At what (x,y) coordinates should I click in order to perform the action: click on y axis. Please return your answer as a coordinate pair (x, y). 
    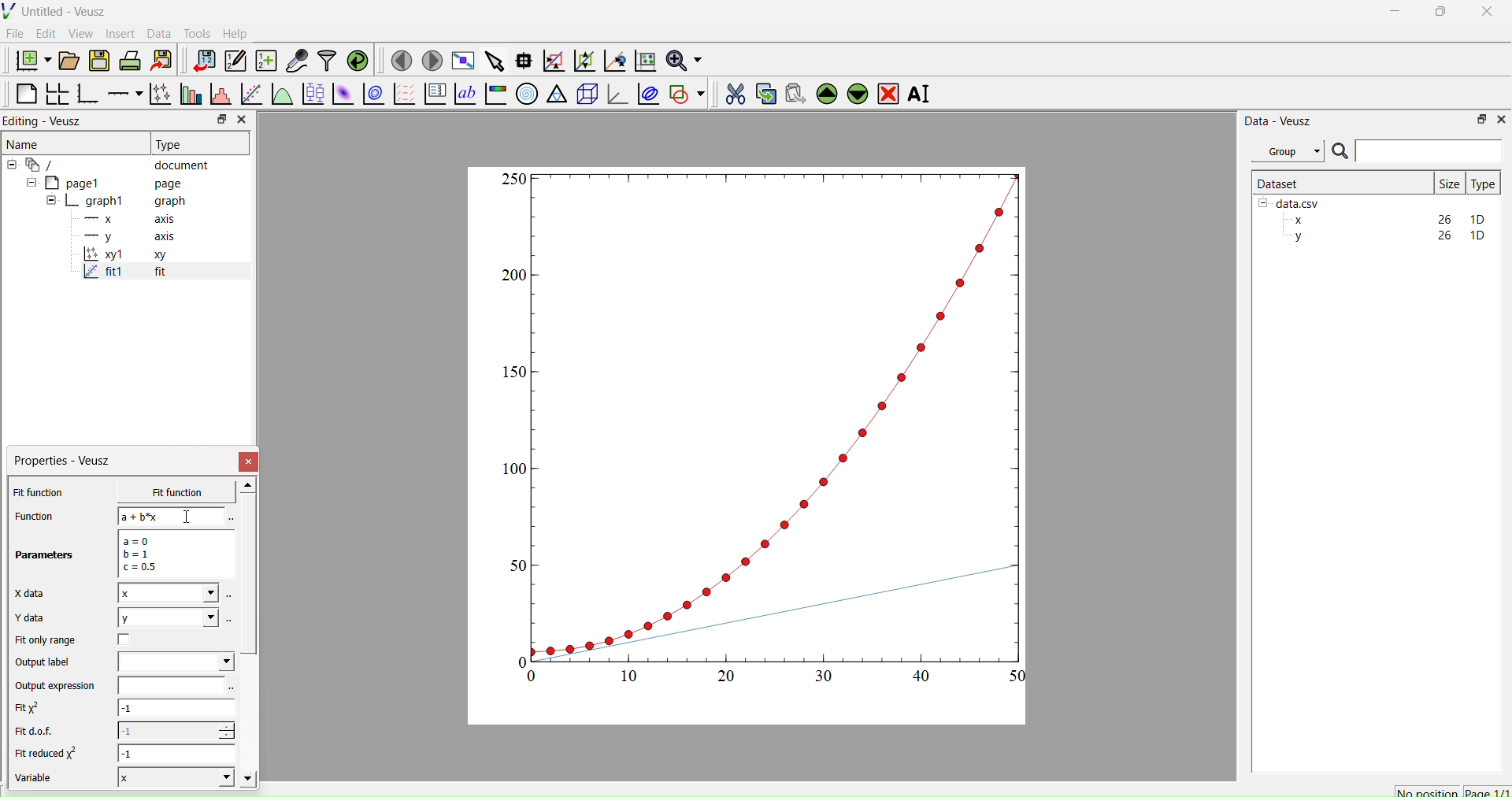
    Looking at the image, I should click on (120, 236).